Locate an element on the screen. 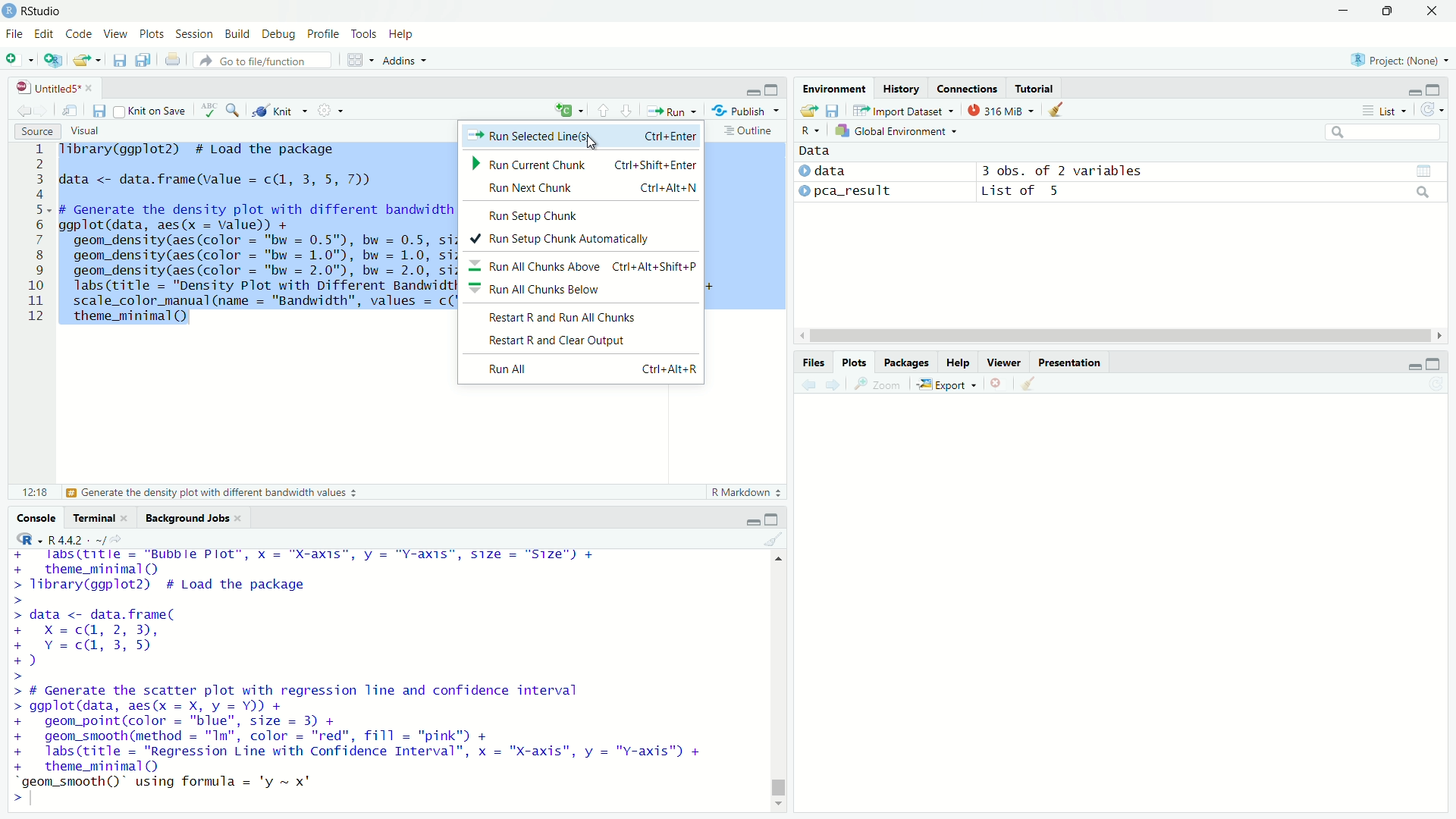  R is located at coordinates (811, 130).